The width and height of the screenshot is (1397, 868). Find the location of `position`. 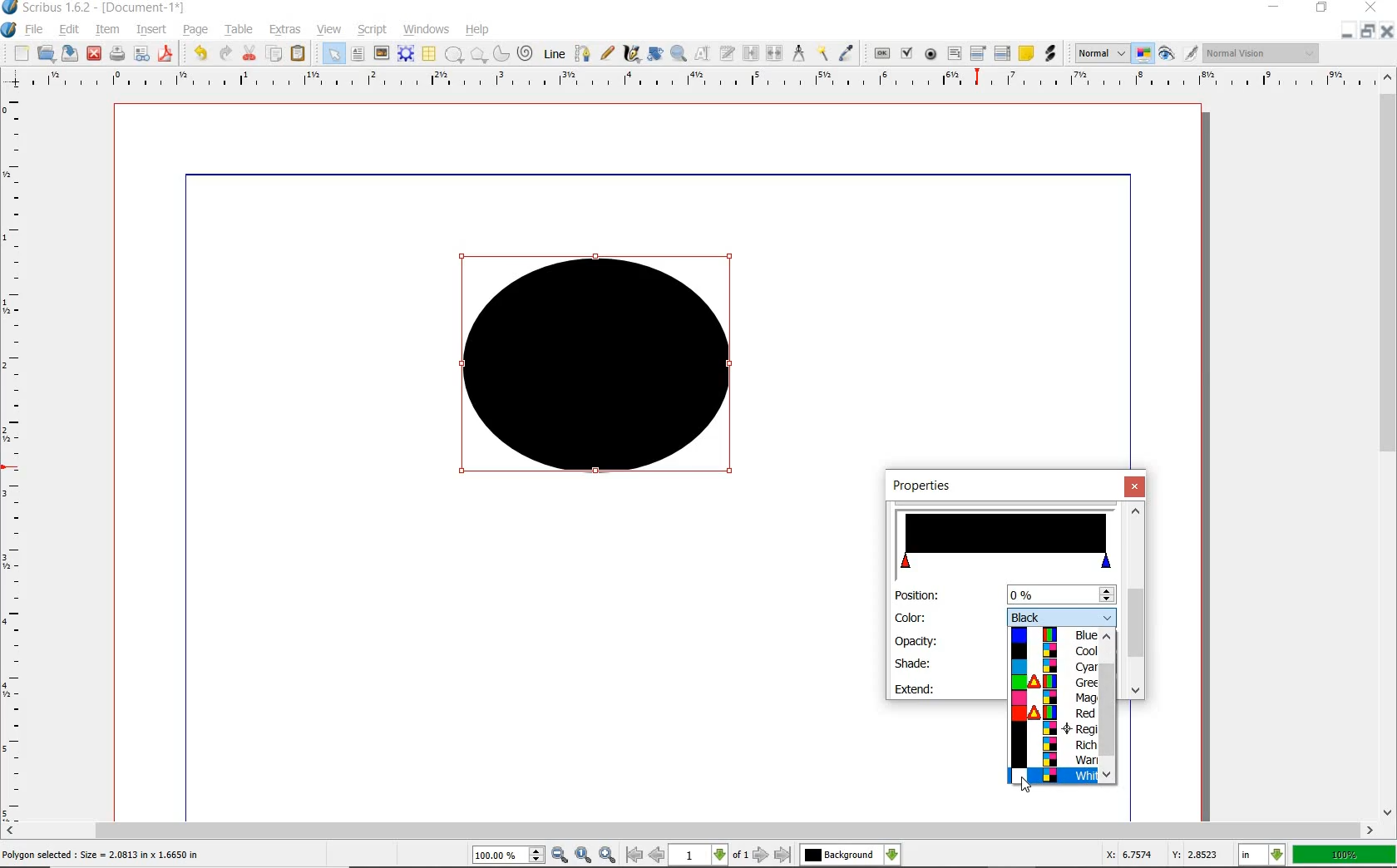

position is located at coordinates (1059, 594).